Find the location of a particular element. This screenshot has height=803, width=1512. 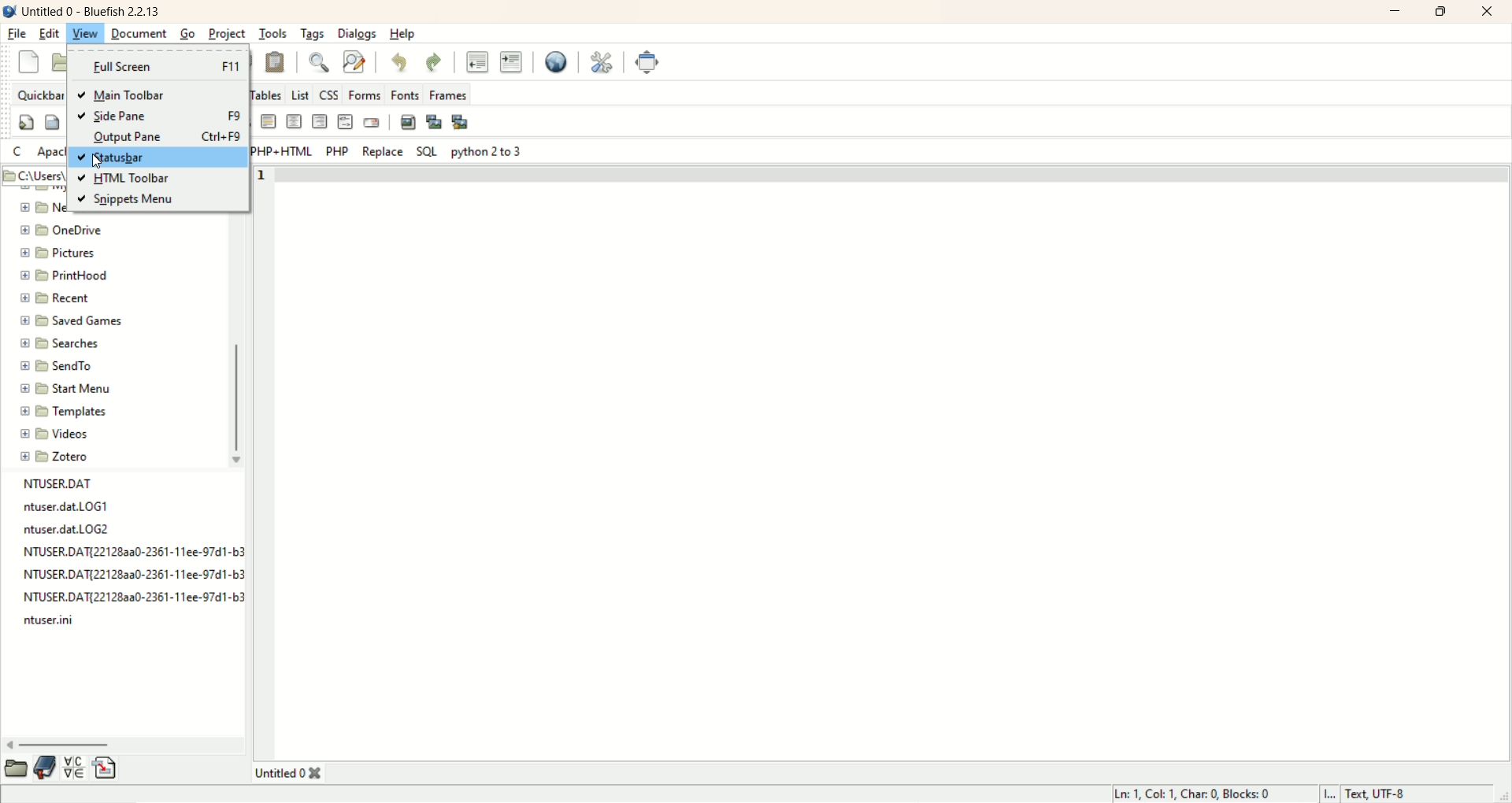

side pane is located at coordinates (158, 116).